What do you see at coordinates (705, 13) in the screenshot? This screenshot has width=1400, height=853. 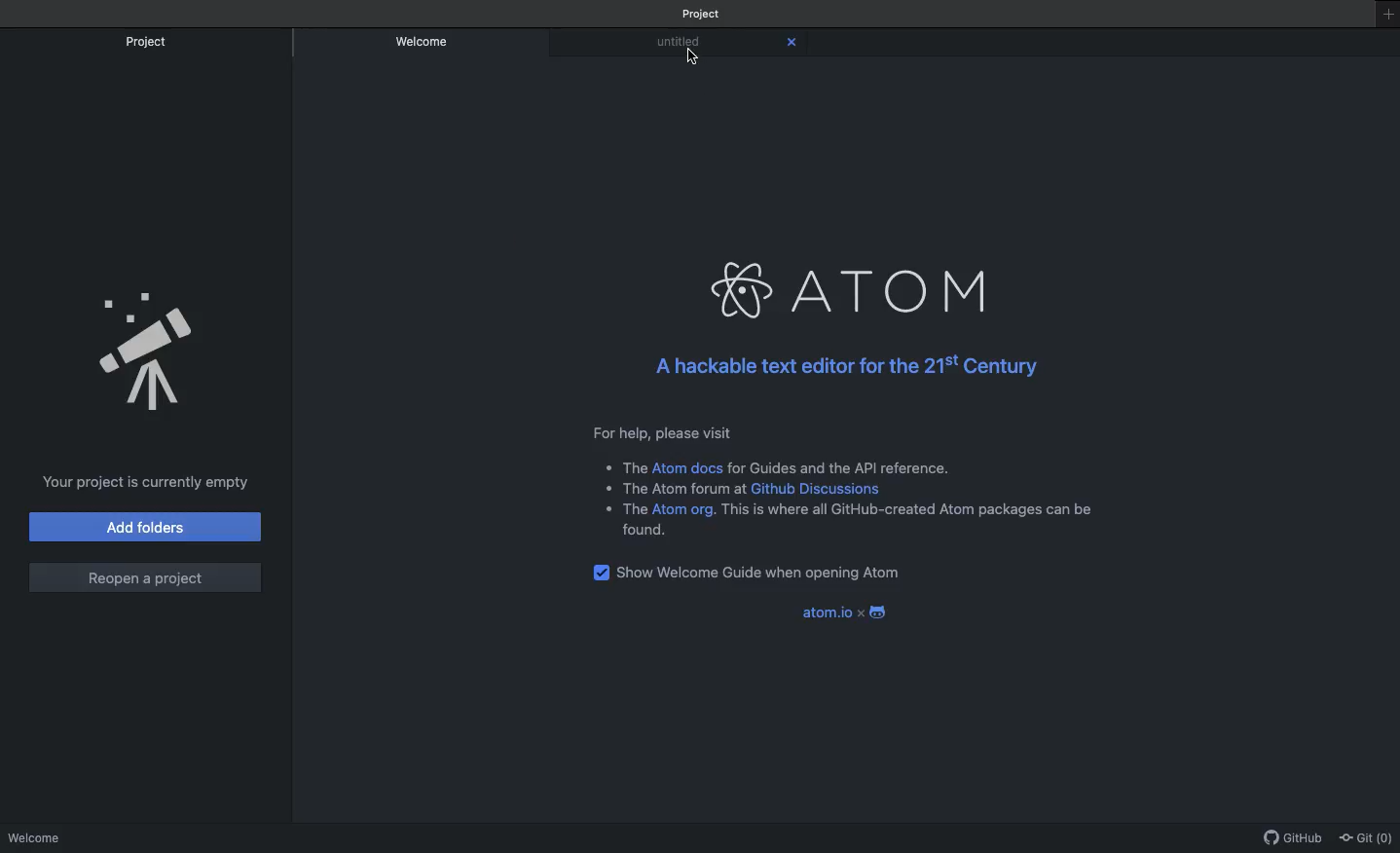 I see `Project` at bounding box center [705, 13].